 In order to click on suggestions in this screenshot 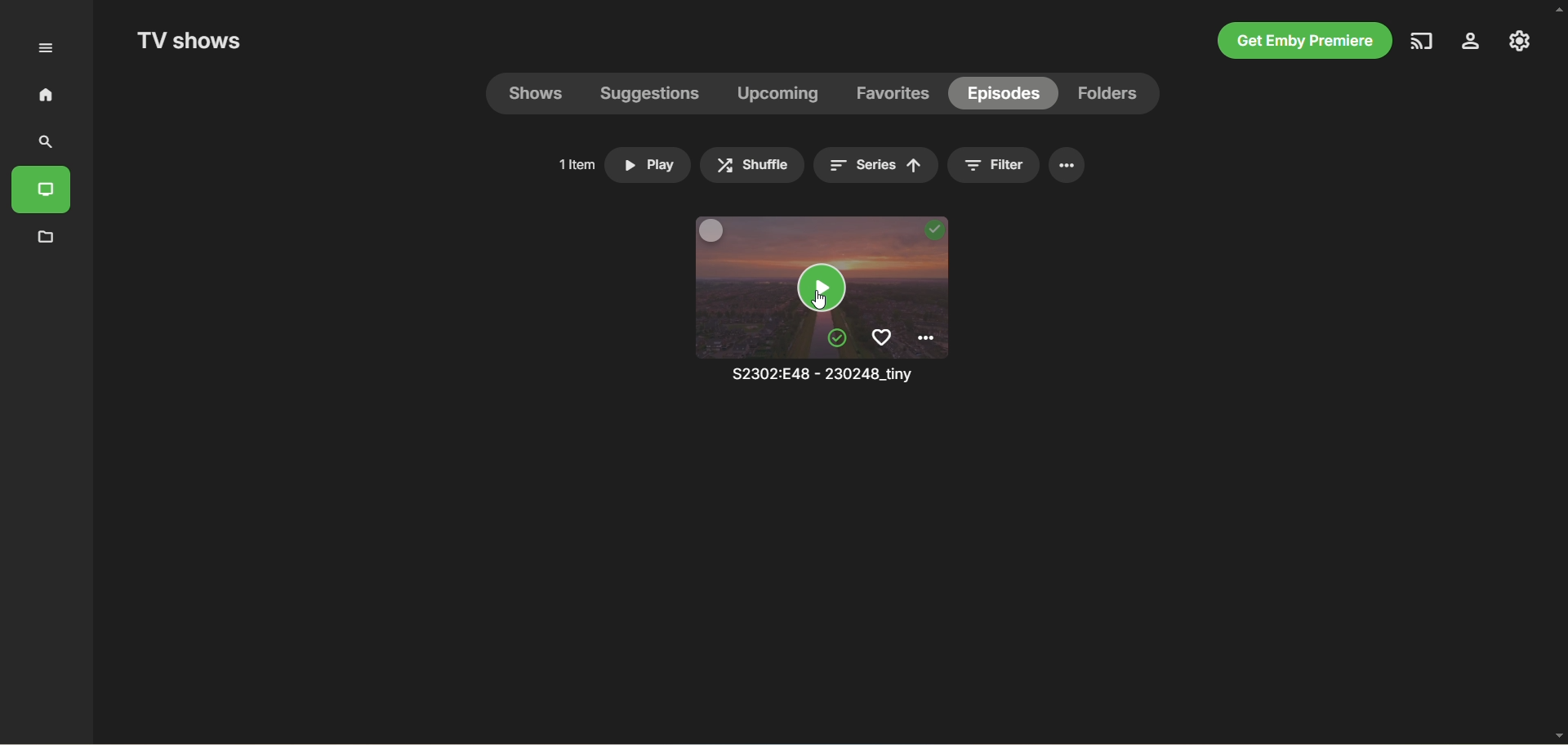, I will do `click(650, 96)`.